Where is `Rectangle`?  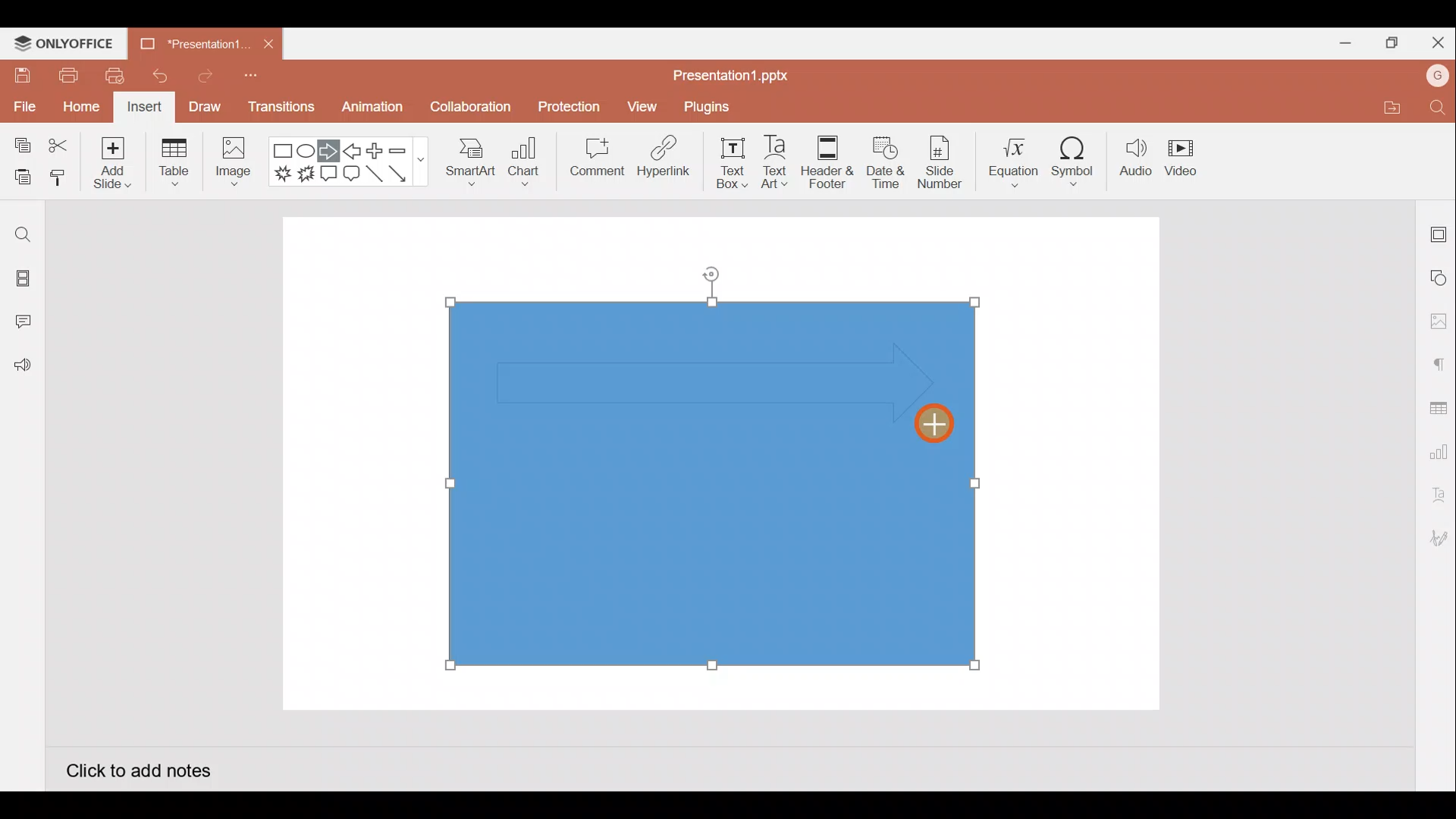
Rectangle is located at coordinates (284, 152).